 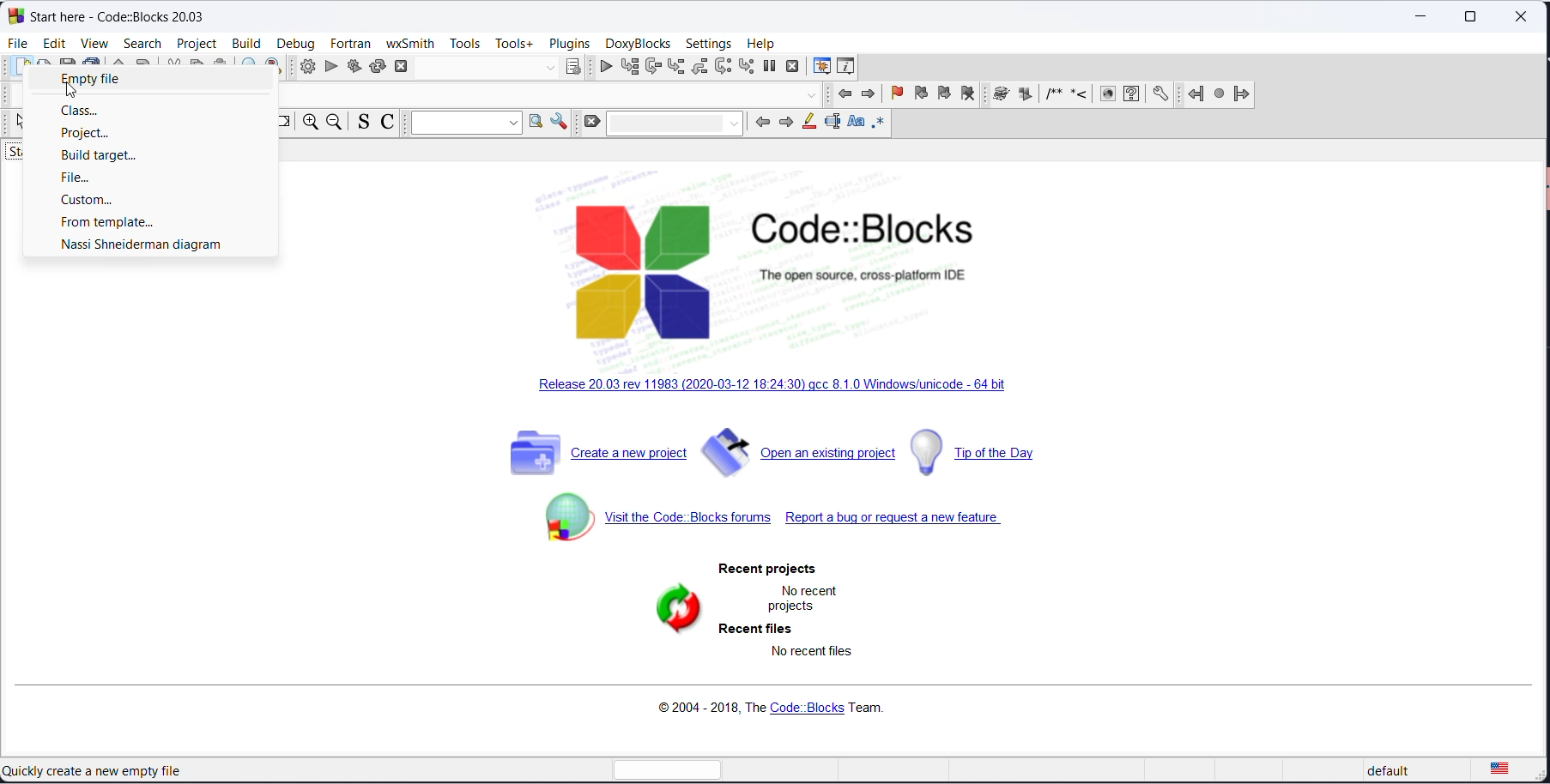 I want to click on plugins, so click(x=569, y=43).